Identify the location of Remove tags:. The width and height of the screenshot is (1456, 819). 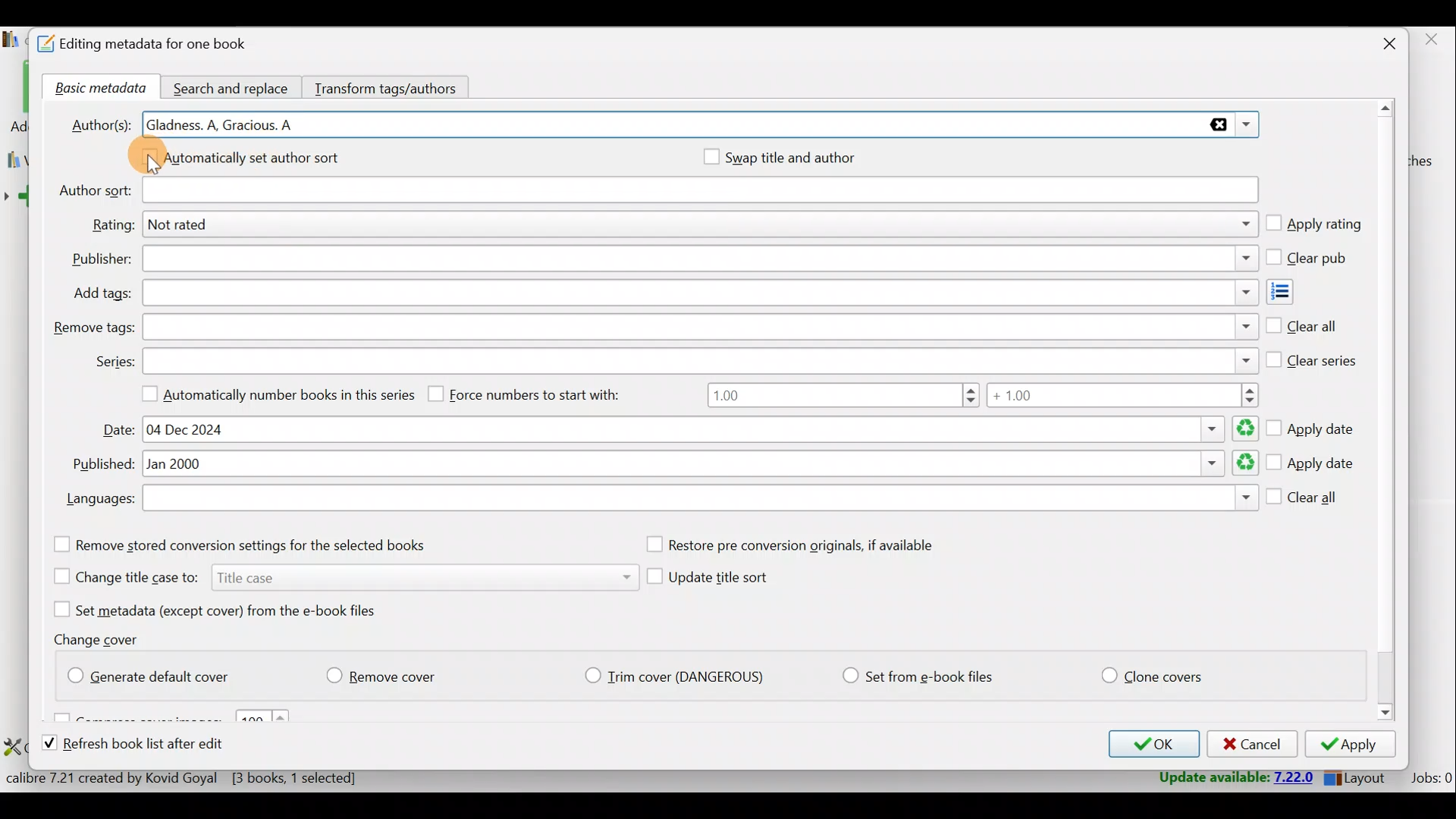
(93, 328).